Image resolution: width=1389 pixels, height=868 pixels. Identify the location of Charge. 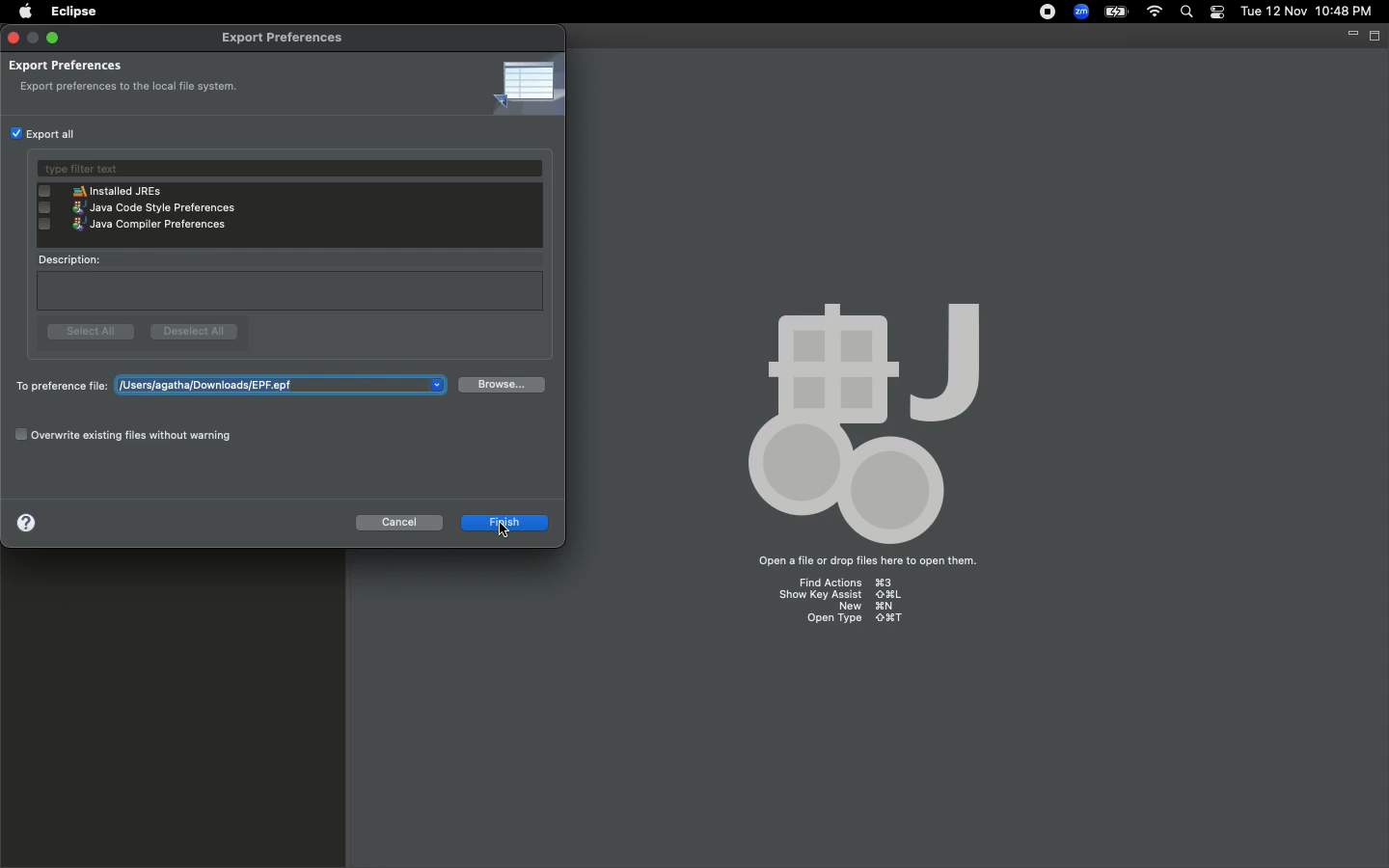
(1119, 11).